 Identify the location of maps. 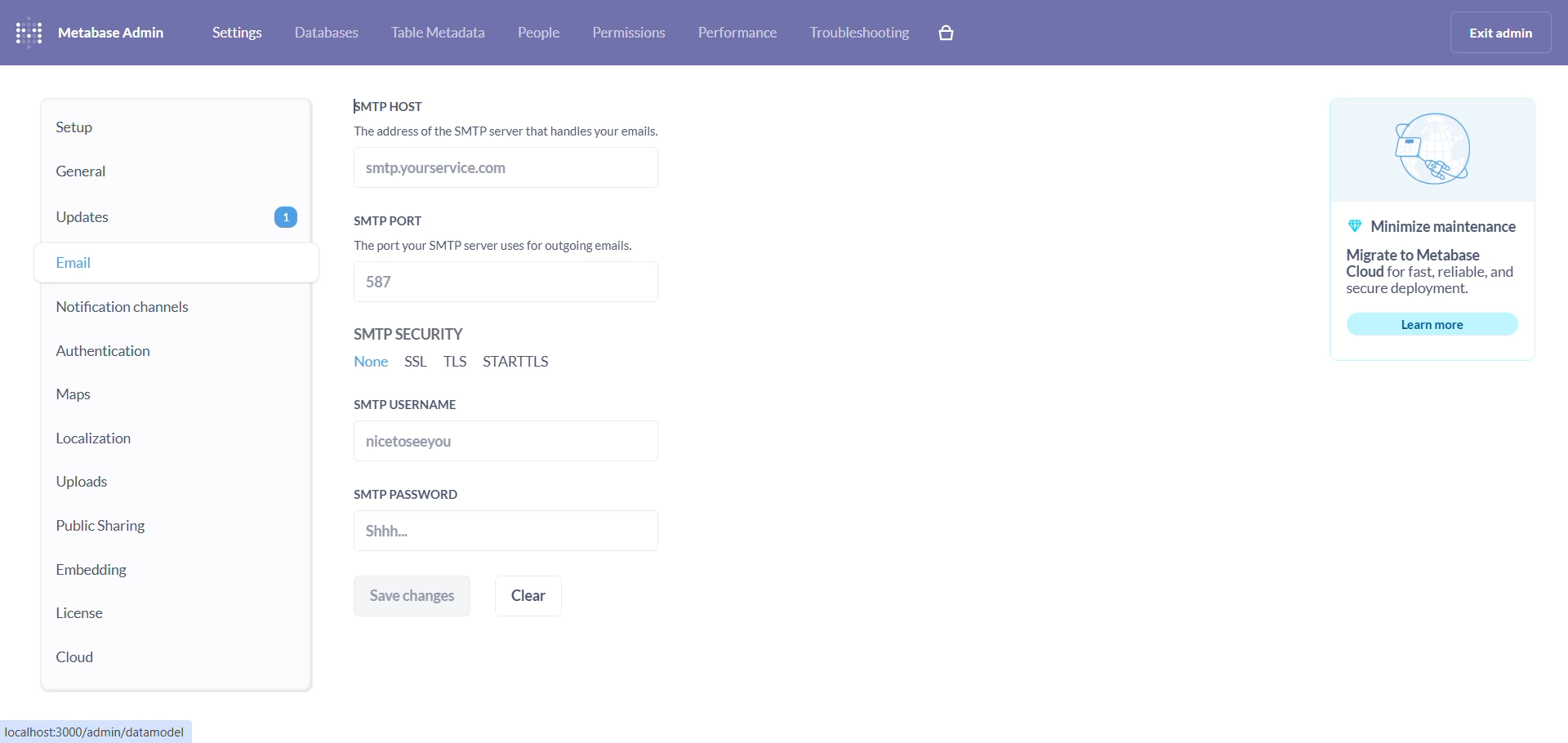
(148, 394).